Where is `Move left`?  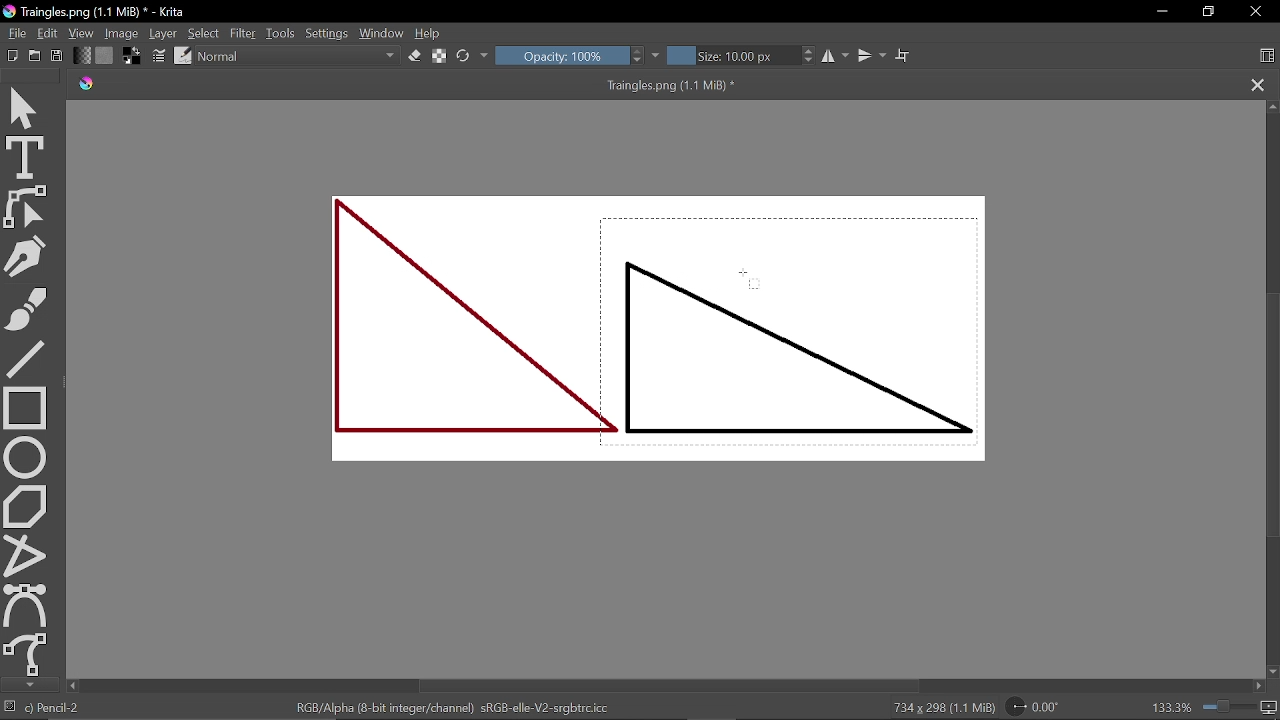 Move left is located at coordinates (72, 686).